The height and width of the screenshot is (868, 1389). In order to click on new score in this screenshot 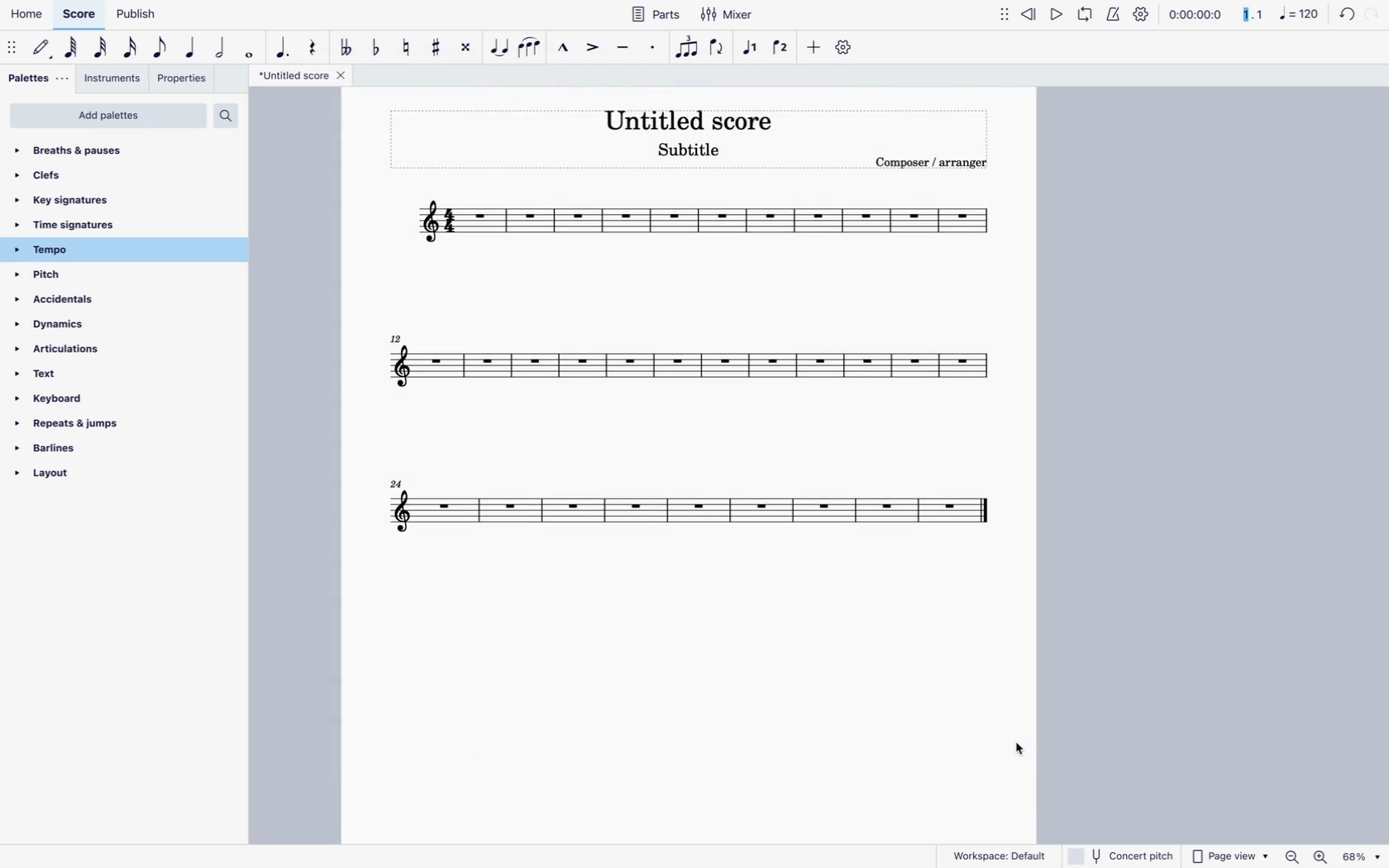, I will do `click(690, 368)`.